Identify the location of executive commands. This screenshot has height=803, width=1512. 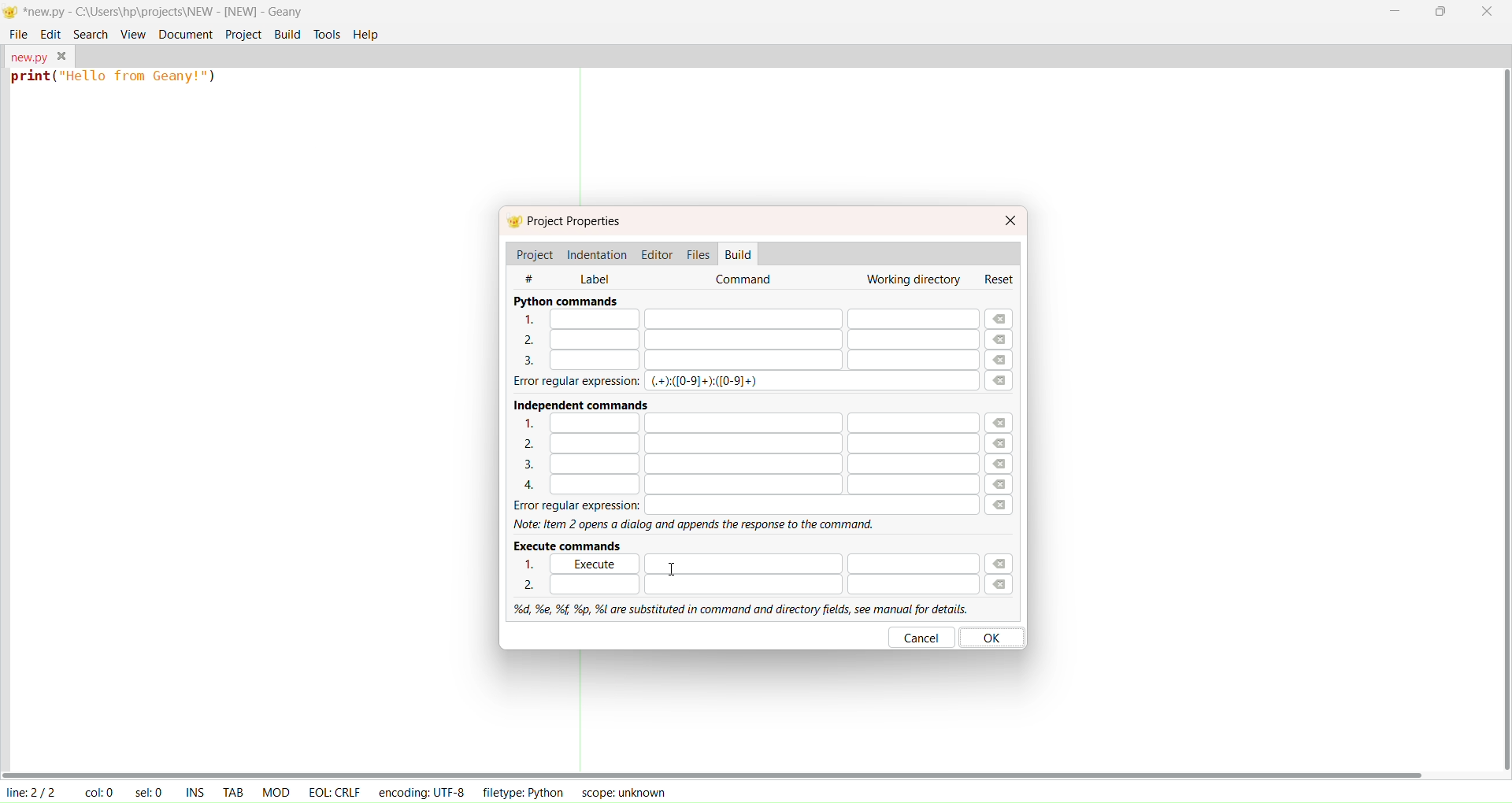
(572, 545).